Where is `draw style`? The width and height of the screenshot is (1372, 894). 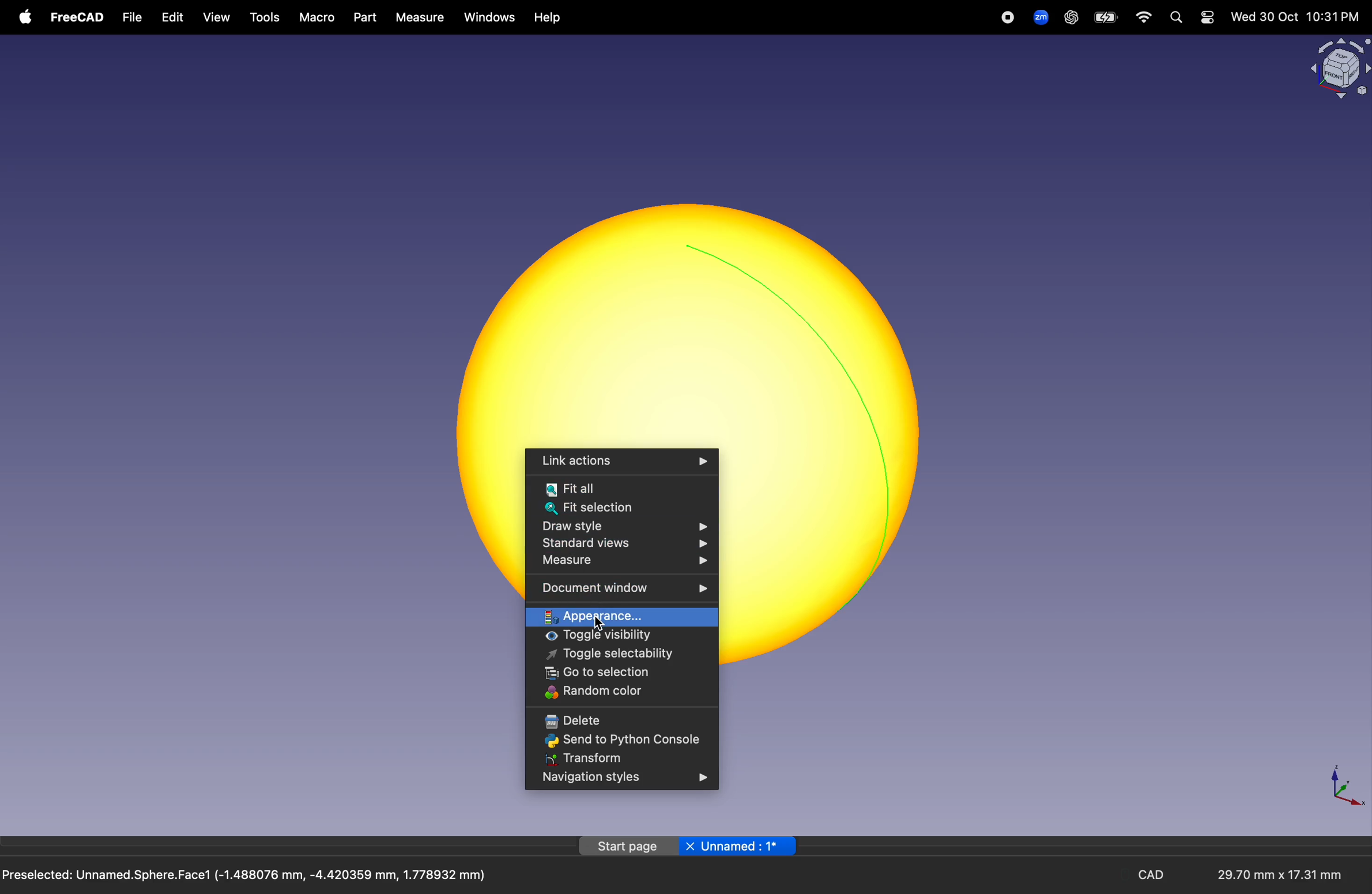 draw style is located at coordinates (623, 526).